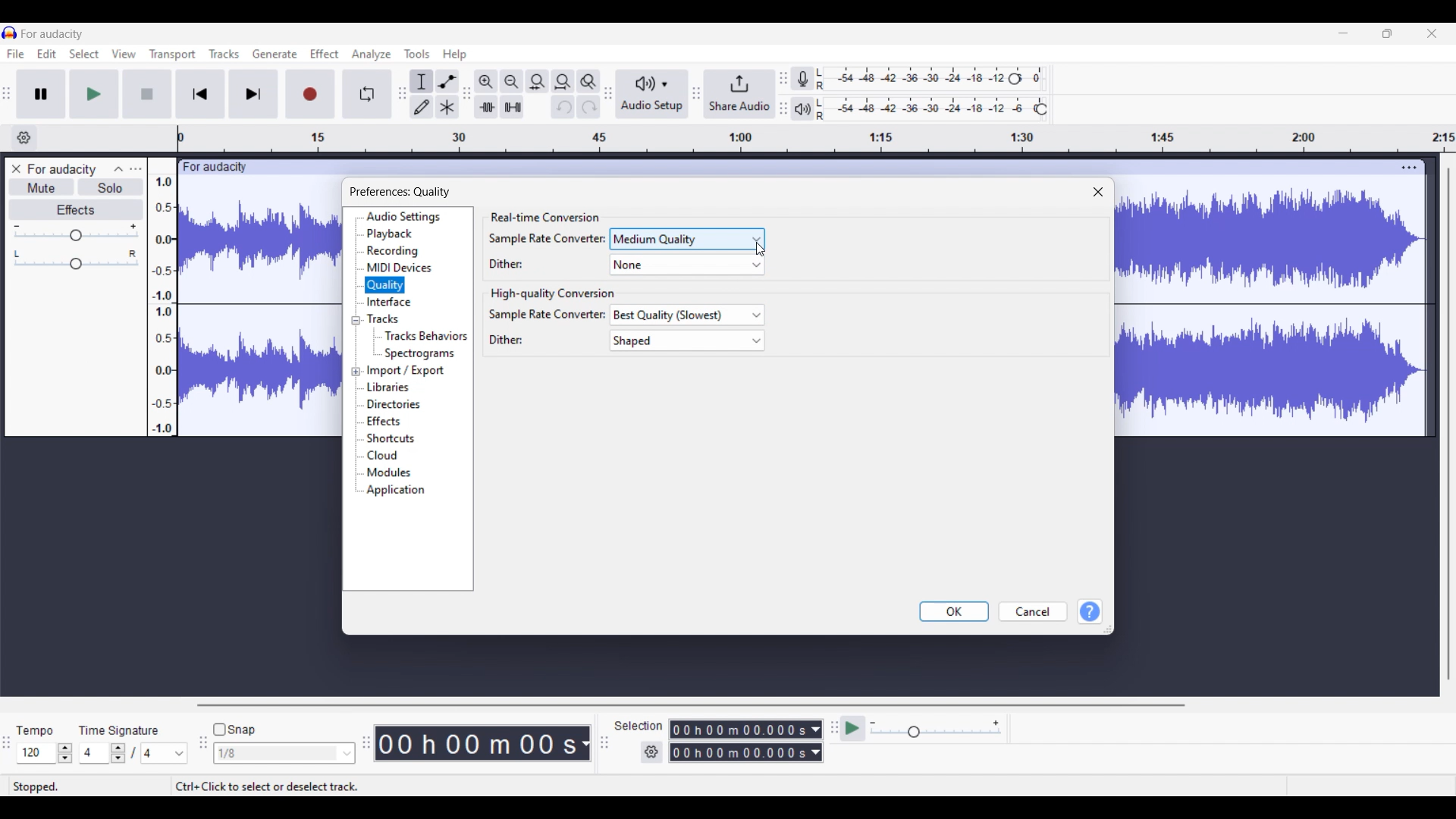 The width and height of the screenshot is (1456, 819). What do you see at coordinates (118, 753) in the screenshot?
I see `Increase/Decrease time signature` at bounding box center [118, 753].